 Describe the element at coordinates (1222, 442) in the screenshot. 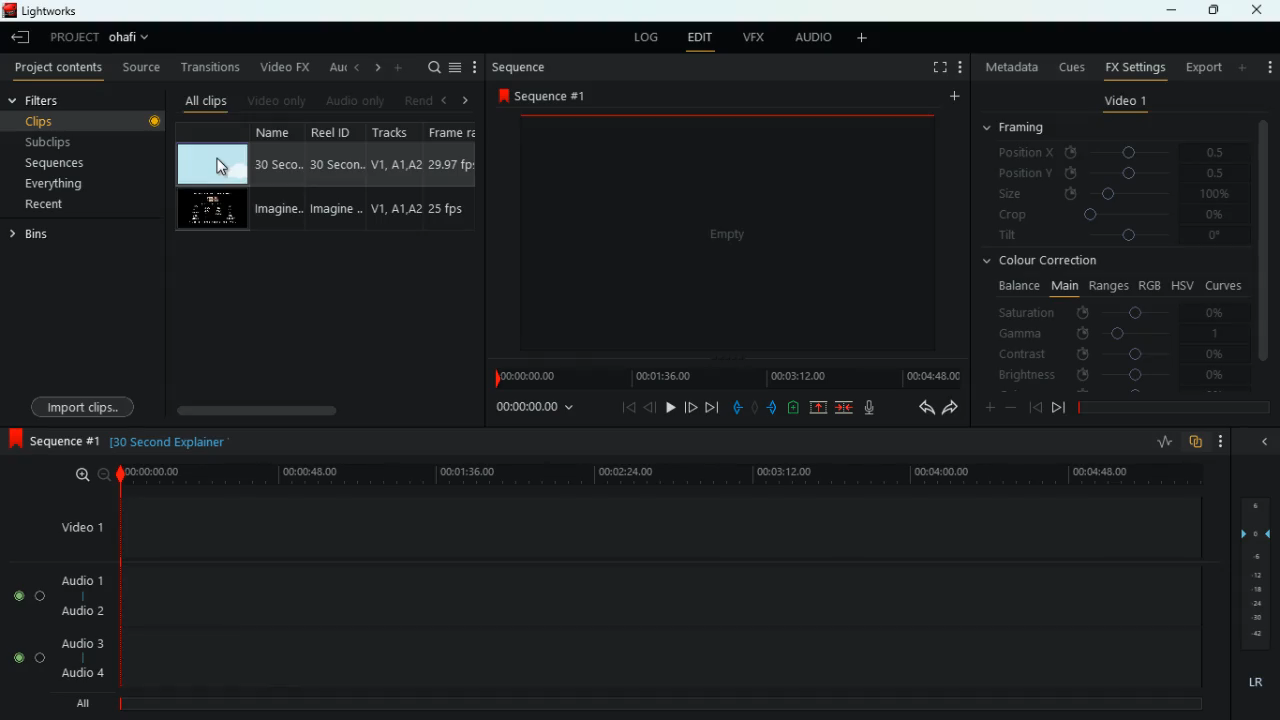

I see `more` at that location.